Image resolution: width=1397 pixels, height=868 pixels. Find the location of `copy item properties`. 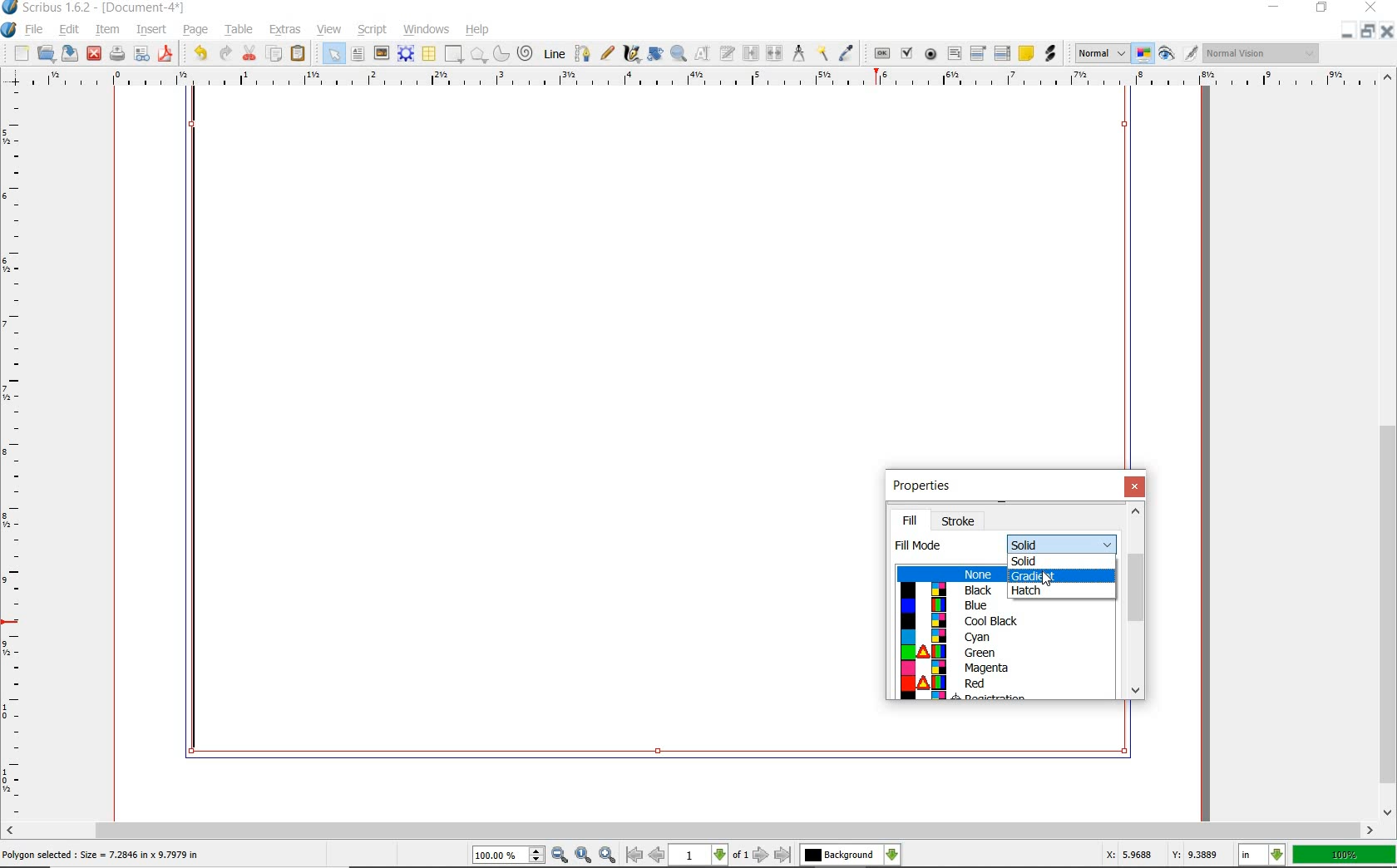

copy item properties is located at coordinates (822, 53).